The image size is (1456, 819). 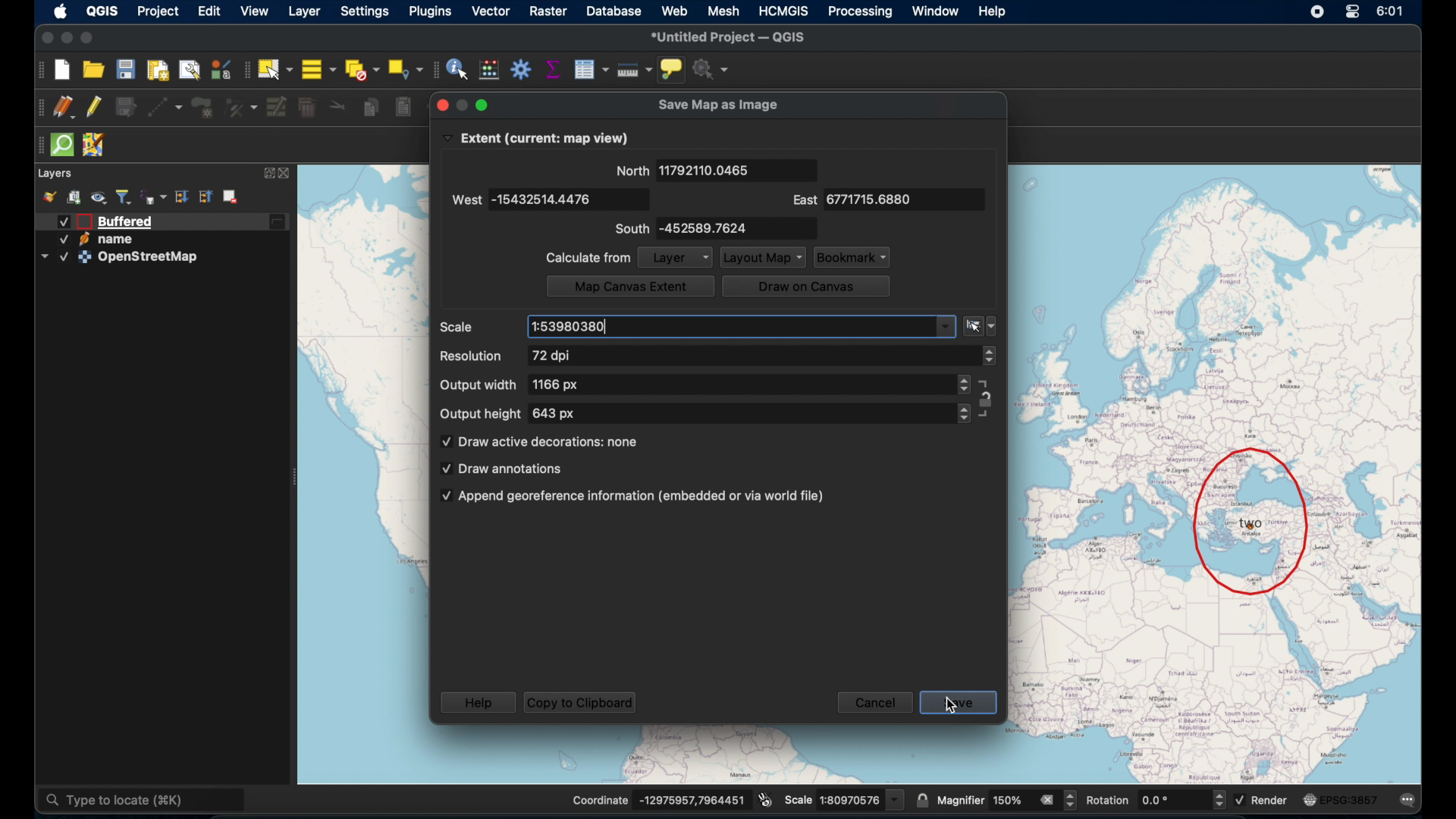 I want to click on expand, so click(x=267, y=174).